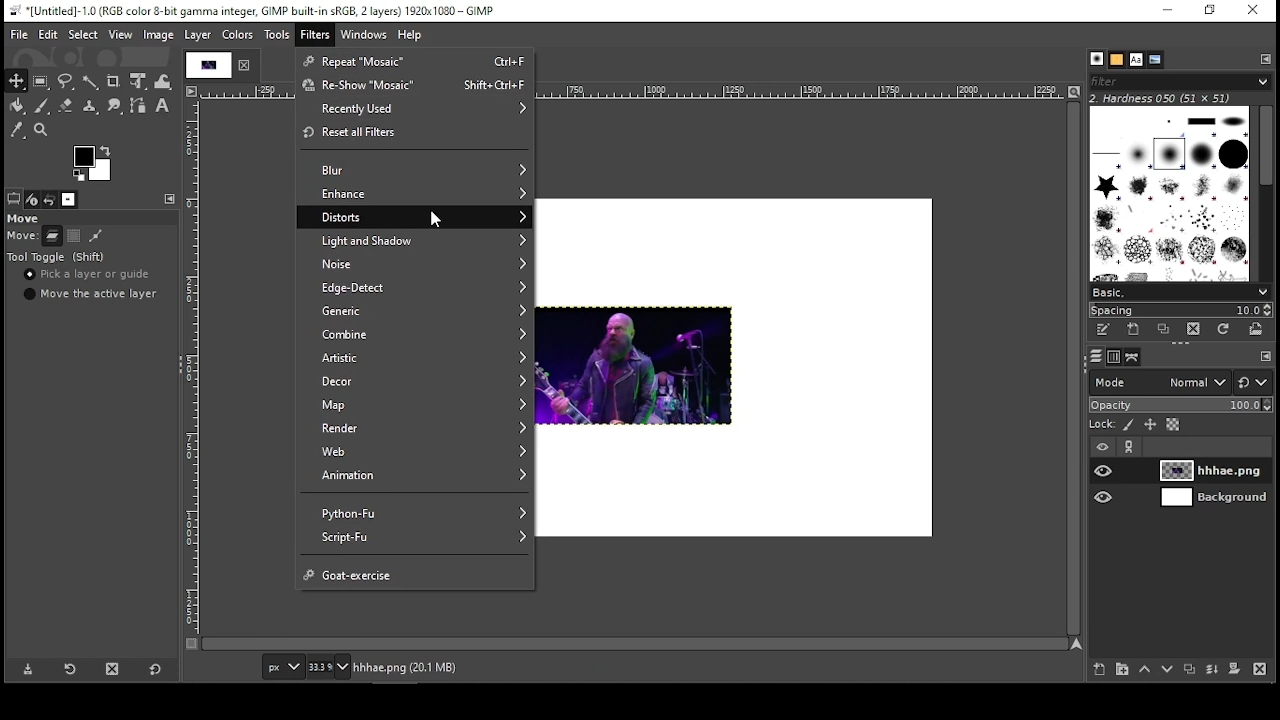  What do you see at coordinates (1265, 59) in the screenshot?
I see `To open Tab Menue` at bounding box center [1265, 59].